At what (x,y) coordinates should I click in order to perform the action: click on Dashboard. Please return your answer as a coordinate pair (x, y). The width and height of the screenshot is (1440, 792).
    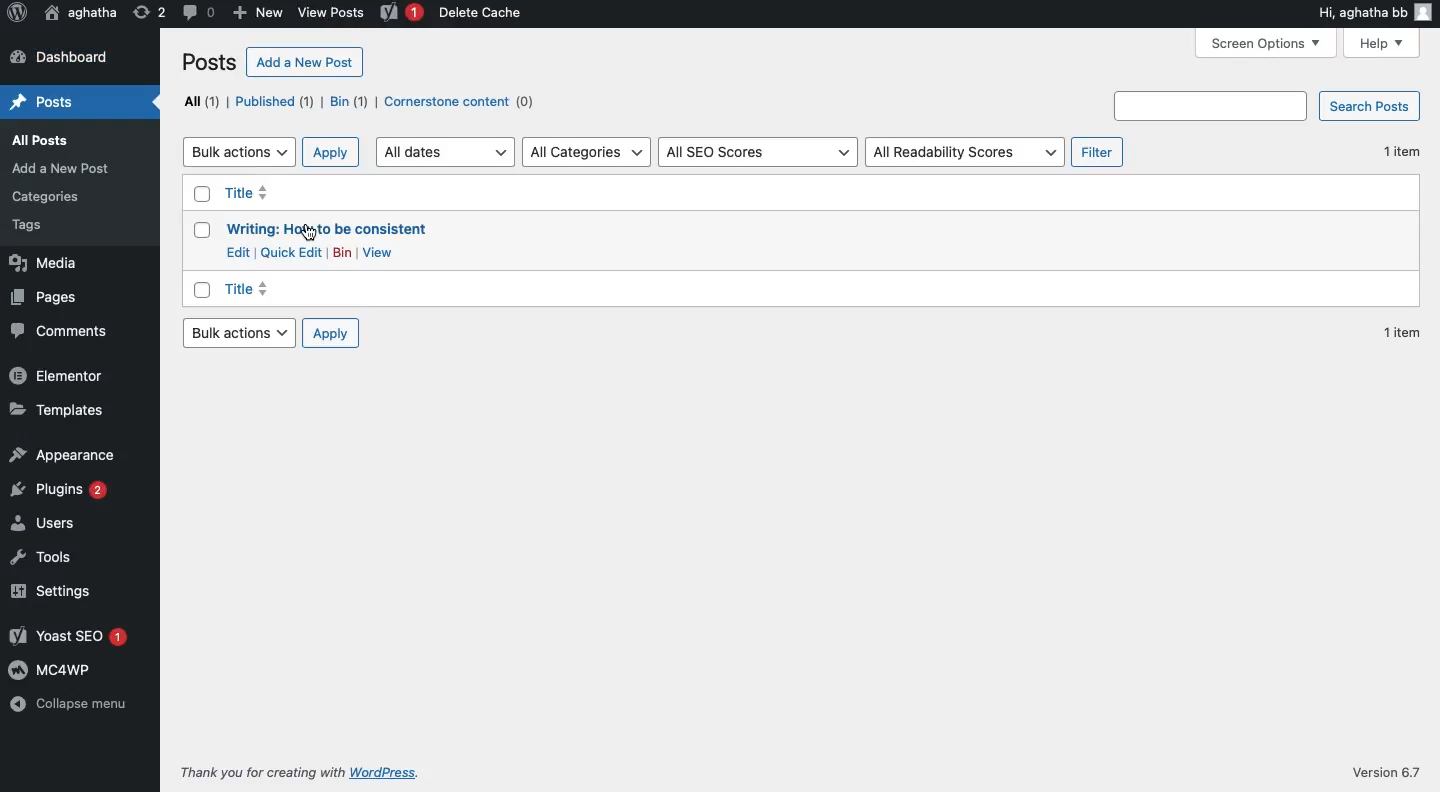
    Looking at the image, I should click on (65, 58).